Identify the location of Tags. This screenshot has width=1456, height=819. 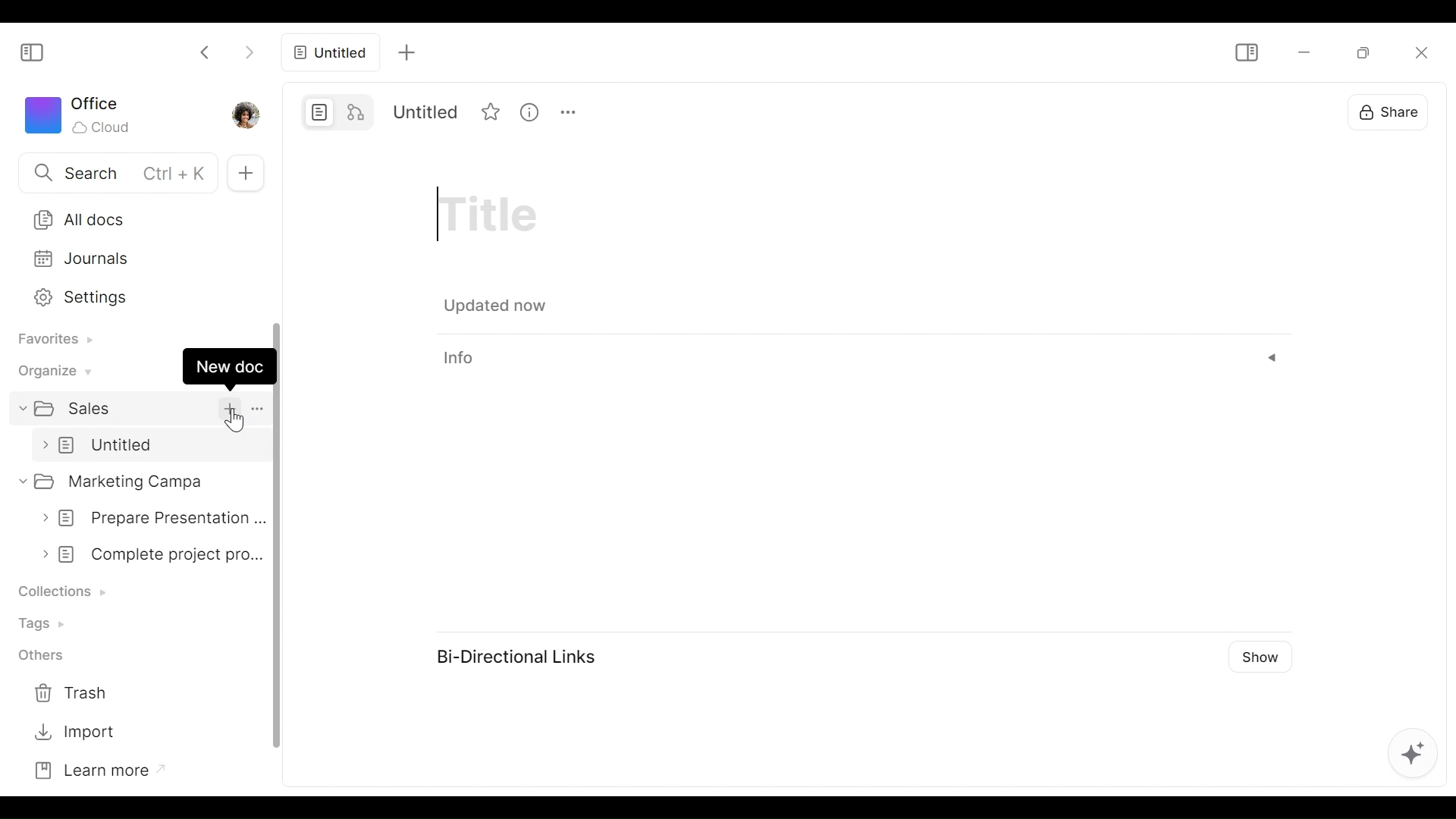
(48, 620).